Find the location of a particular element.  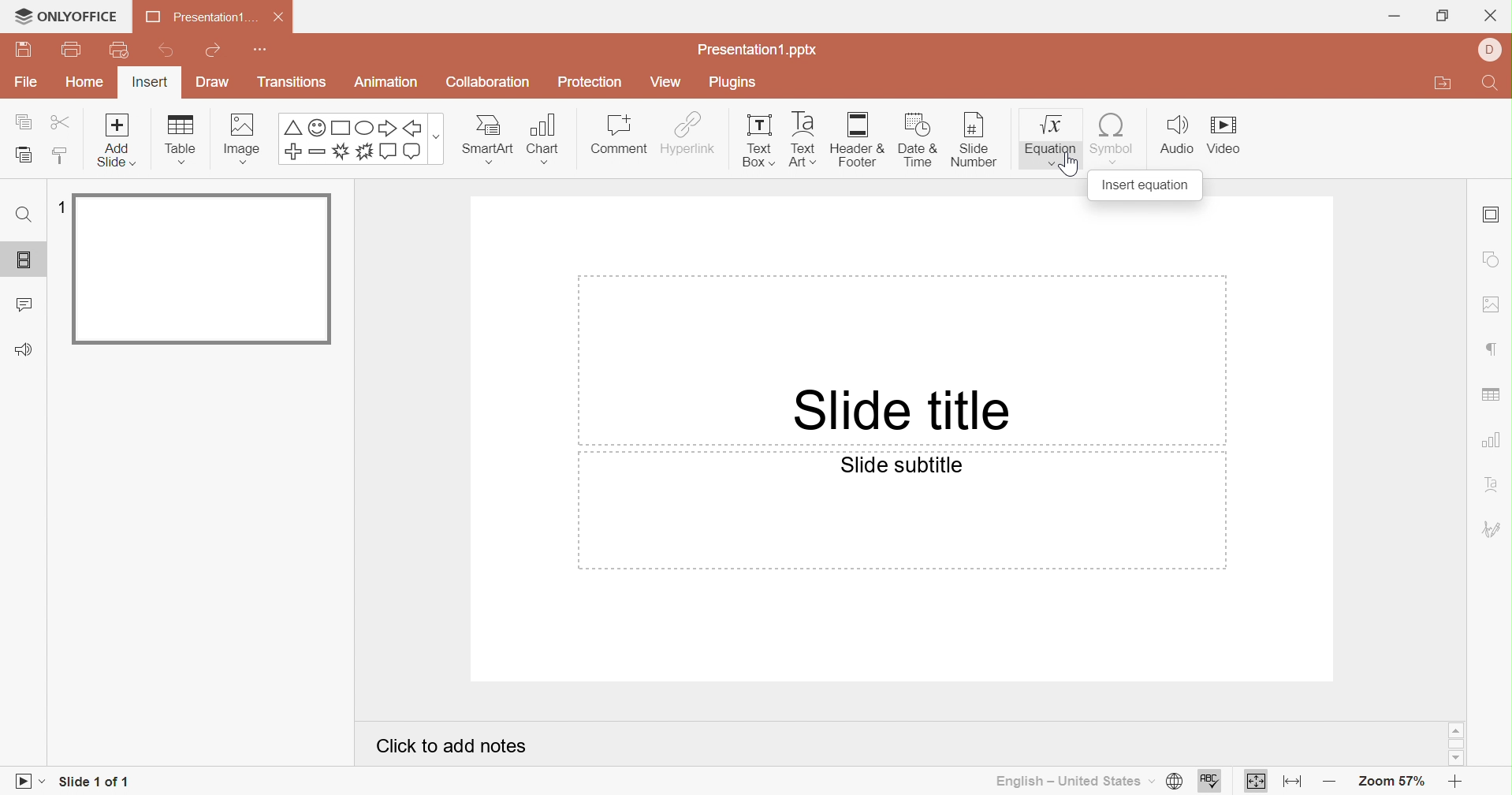

Zoom out is located at coordinates (1329, 778).